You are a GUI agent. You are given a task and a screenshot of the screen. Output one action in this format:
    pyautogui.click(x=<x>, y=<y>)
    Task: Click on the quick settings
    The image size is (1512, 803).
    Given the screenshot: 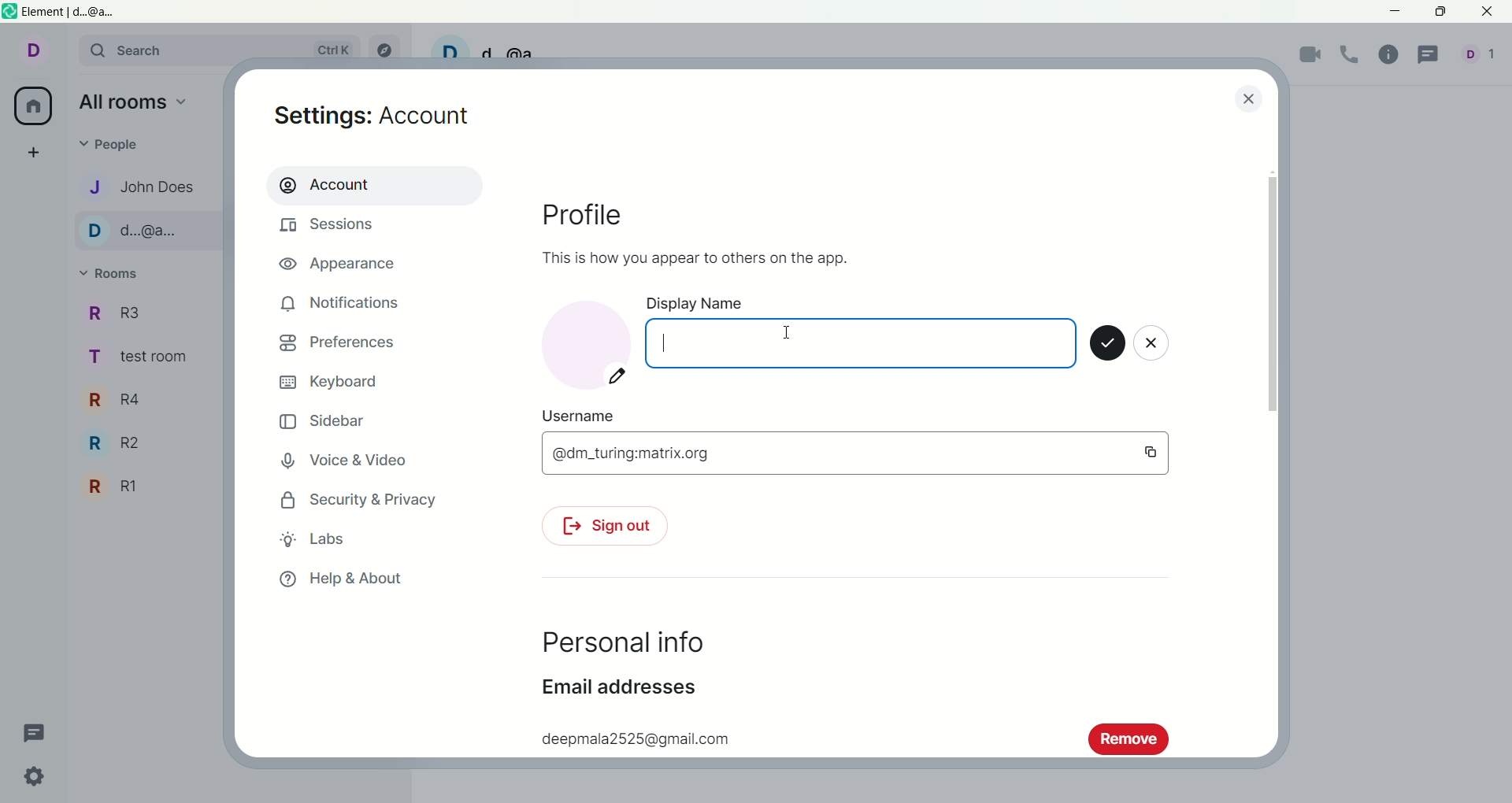 What is the action you would take?
    pyautogui.click(x=37, y=780)
    